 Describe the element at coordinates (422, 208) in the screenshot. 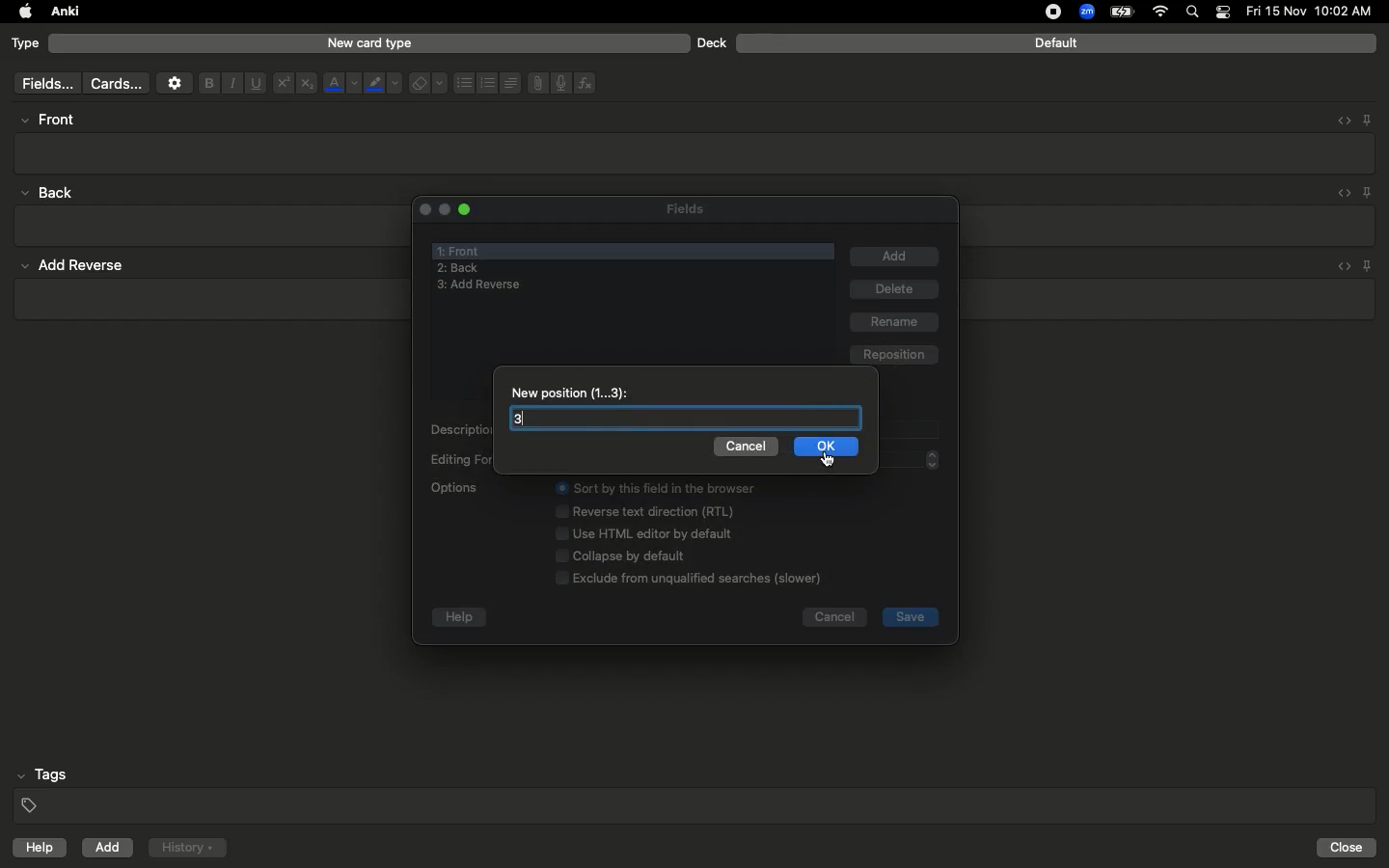

I see `Close` at that location.